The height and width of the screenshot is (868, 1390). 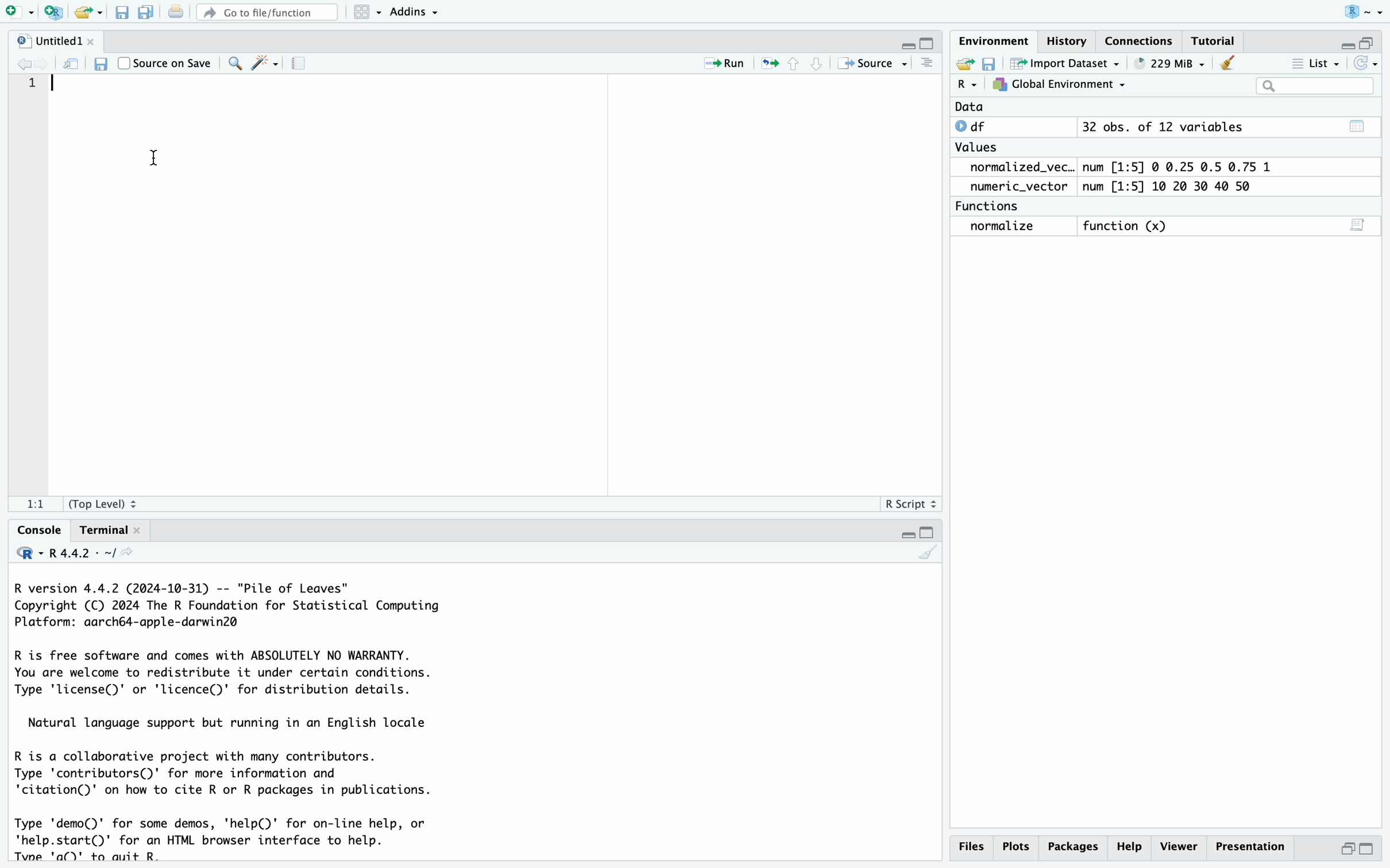 What do you see at coordinates (928, 555) in the screenshot?
I see `clear console` at bounding box center [928, 555].